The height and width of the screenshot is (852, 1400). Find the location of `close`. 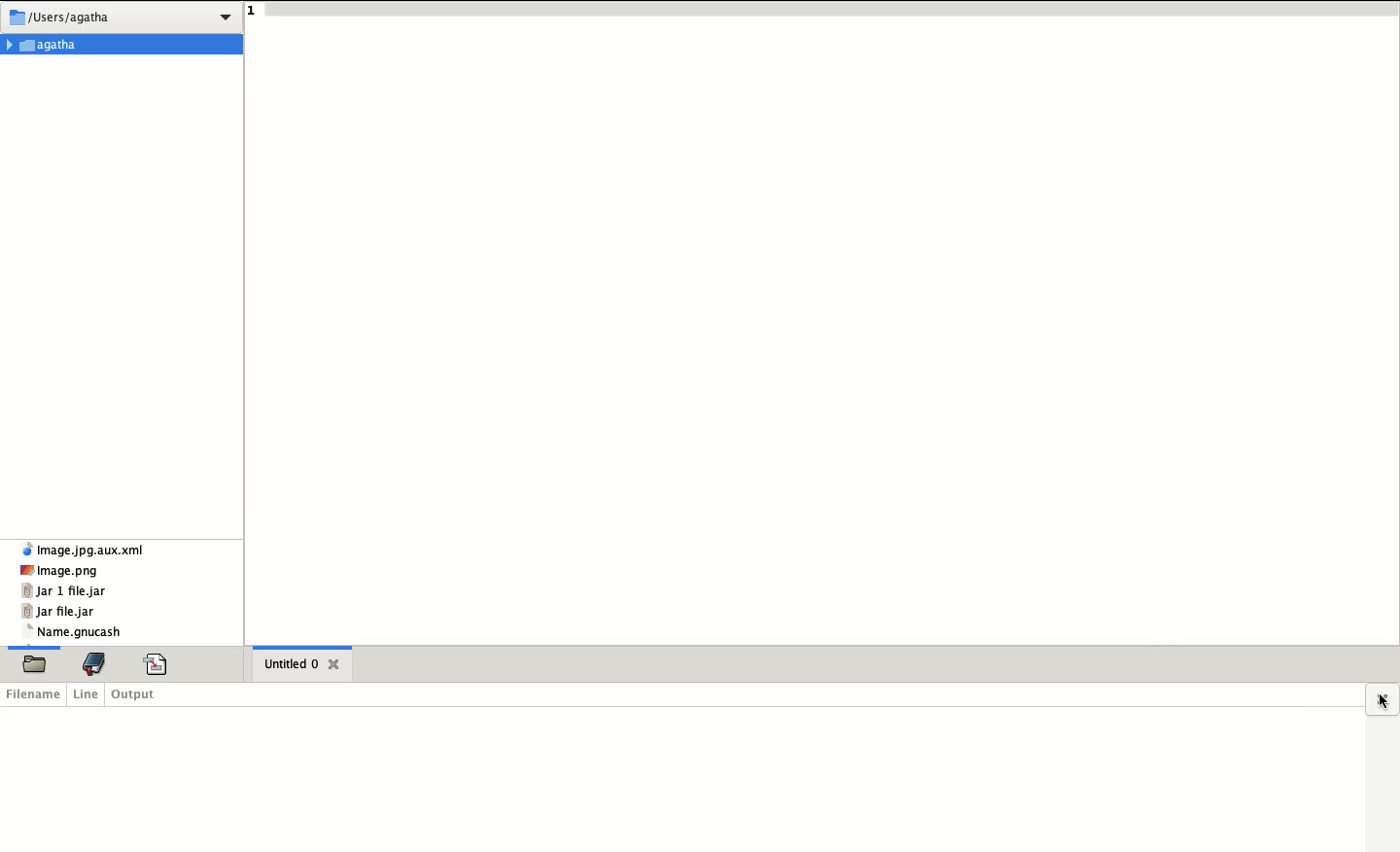

close is located at coordinates (1385, 698).